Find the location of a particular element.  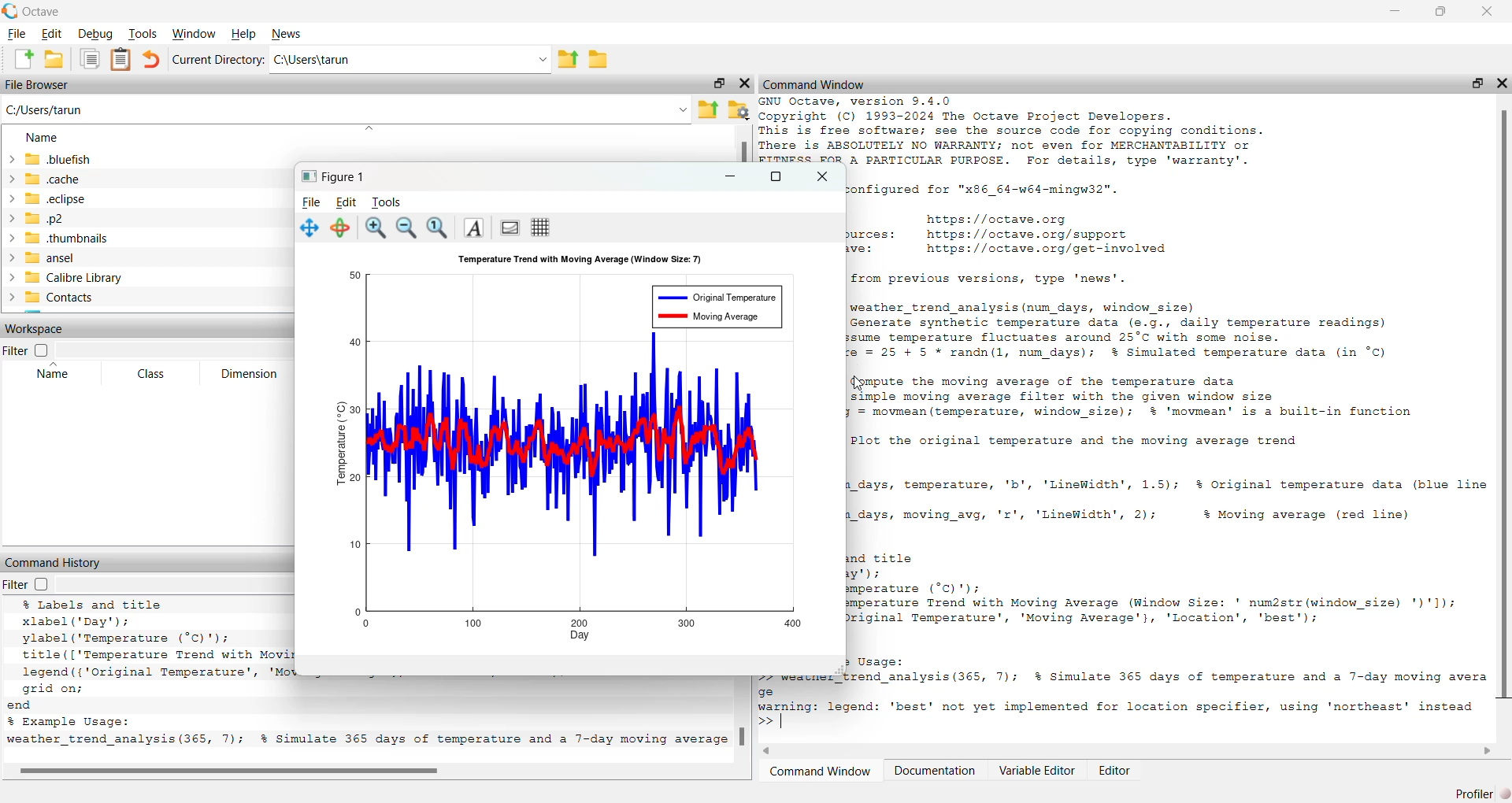

.cache is located at coordinates (42, 179).